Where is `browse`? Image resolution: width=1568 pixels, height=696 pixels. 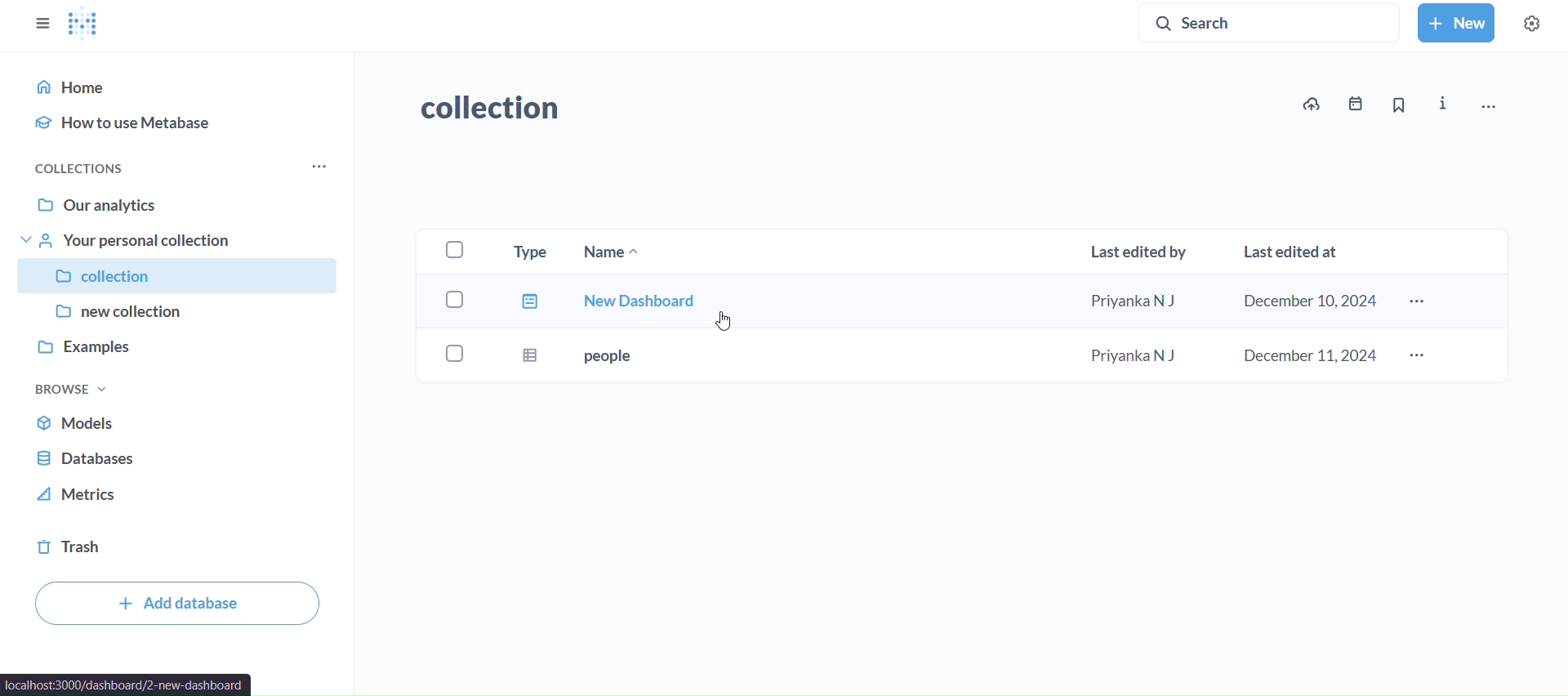 browse is located at coordinates (72, 388).